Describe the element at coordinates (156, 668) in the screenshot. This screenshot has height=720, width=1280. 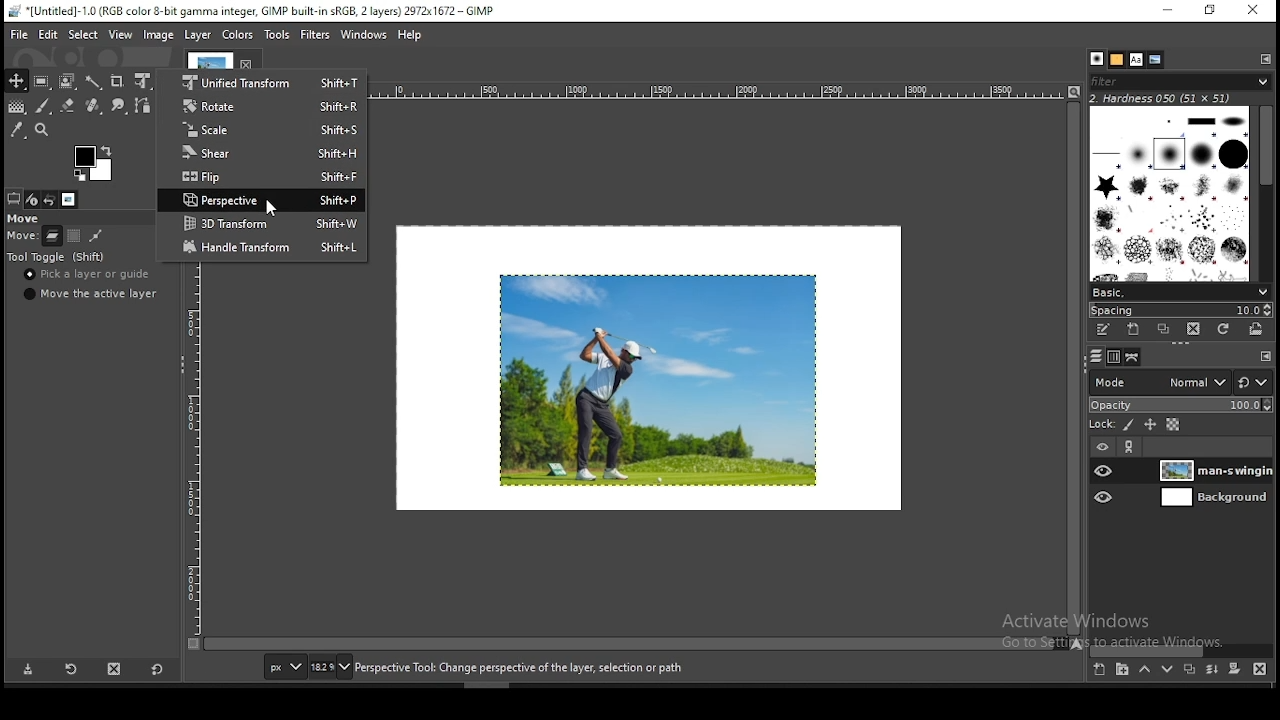
I see `restore to defaults` at that location.